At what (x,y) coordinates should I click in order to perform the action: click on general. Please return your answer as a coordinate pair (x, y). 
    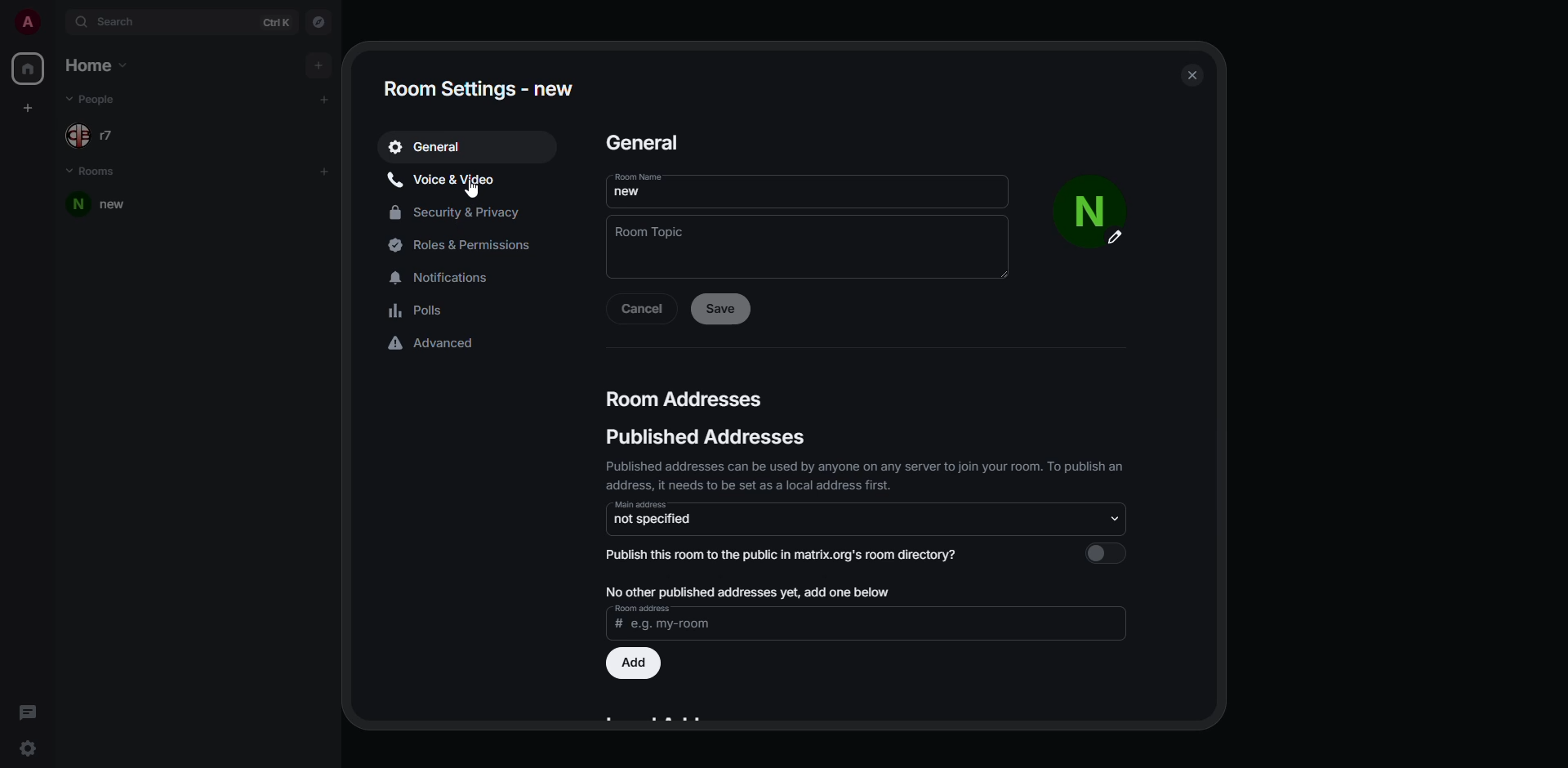
    Looking at the image, I should click on (431, 147).